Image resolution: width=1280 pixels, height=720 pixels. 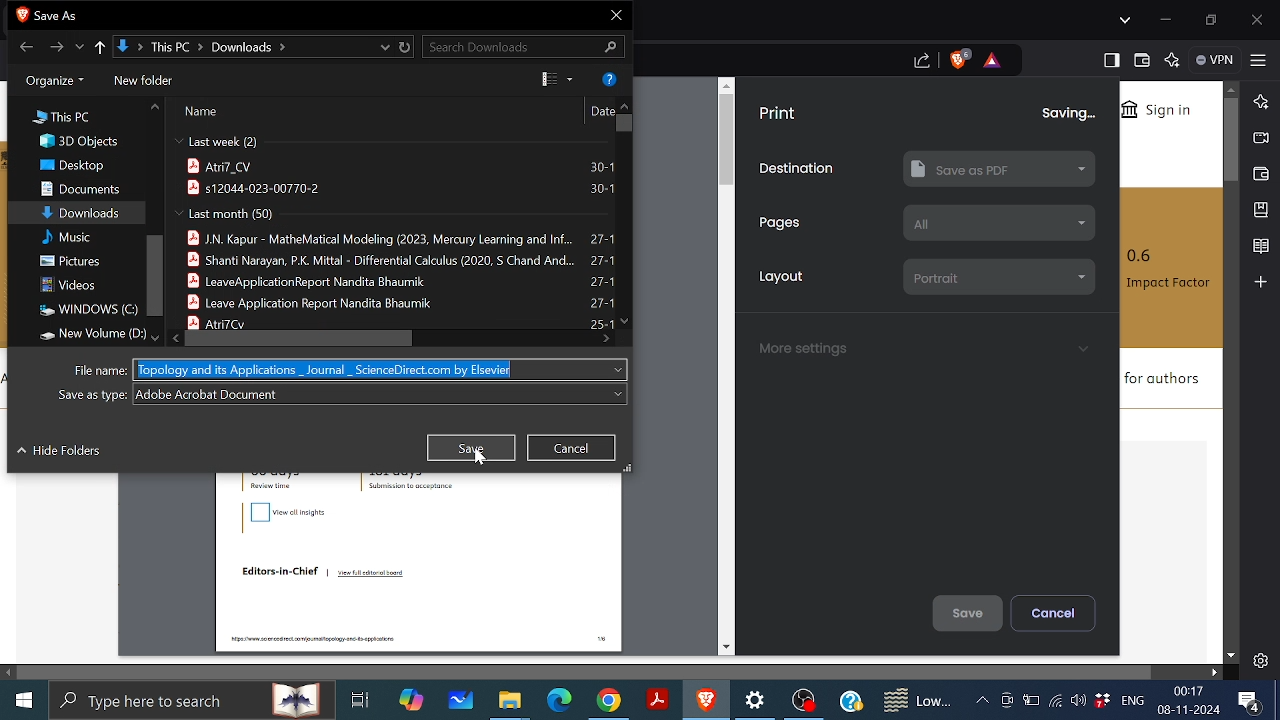 I want to click on Brave talk, so click(x=1260, y=138).